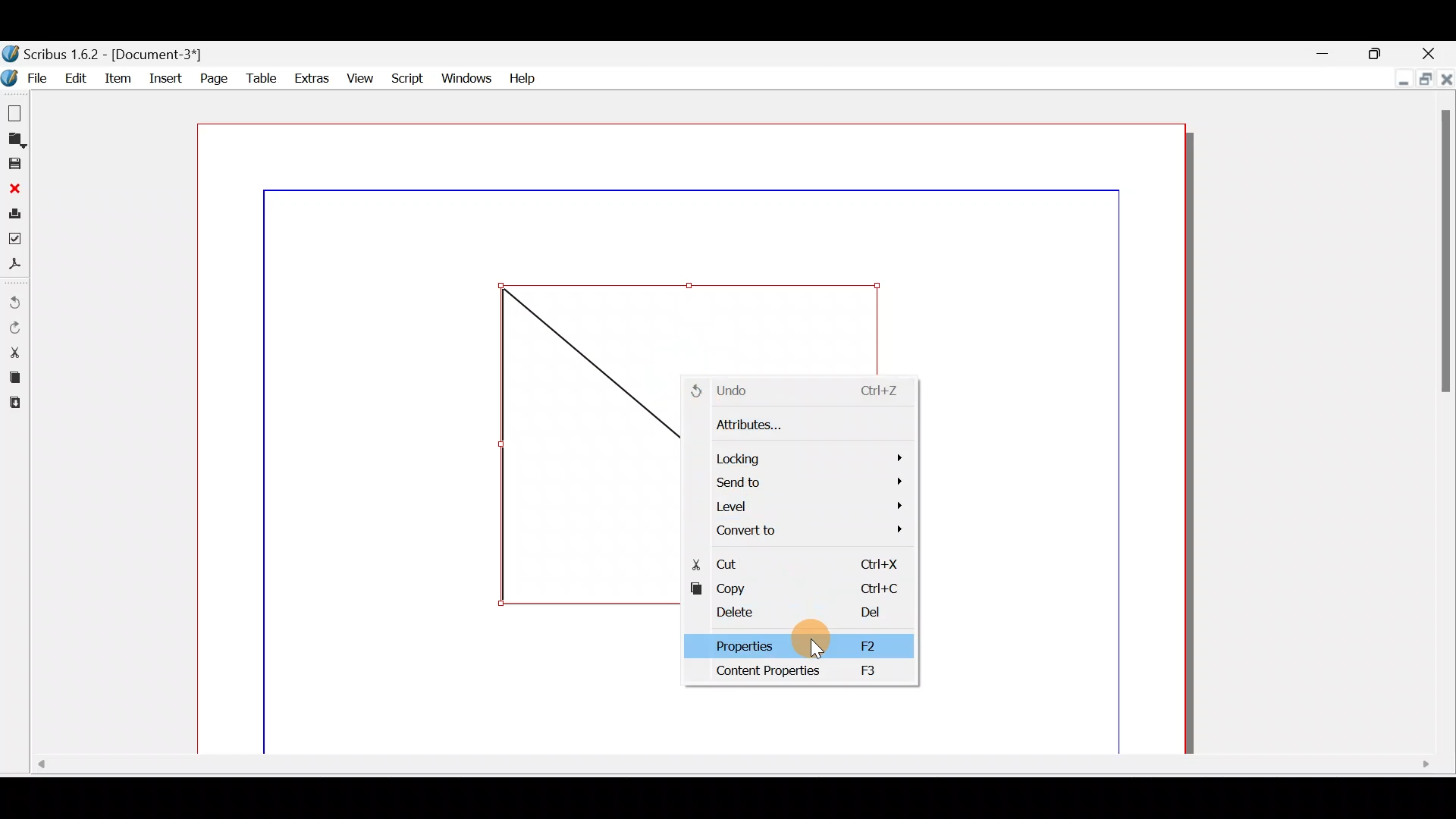 Image resolution: width=1456 pixels, height=819 pixels. What do you see at coordinates (120, 52) in the screenshot?
I see `Document name` at bounding box center [120, 52].